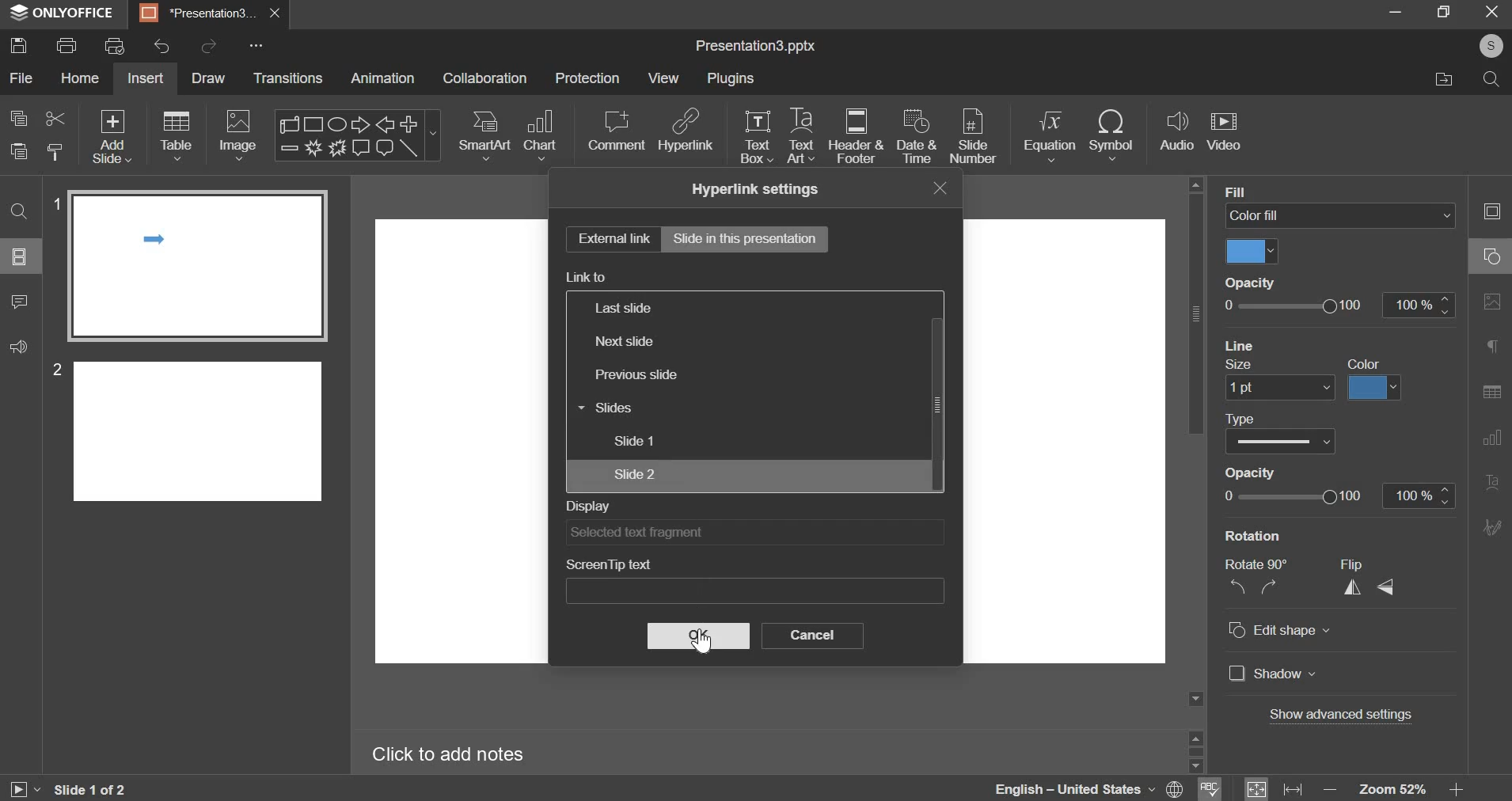 This screenshot has width=1512, height=801. I want to click on Display, so click(751, 533).